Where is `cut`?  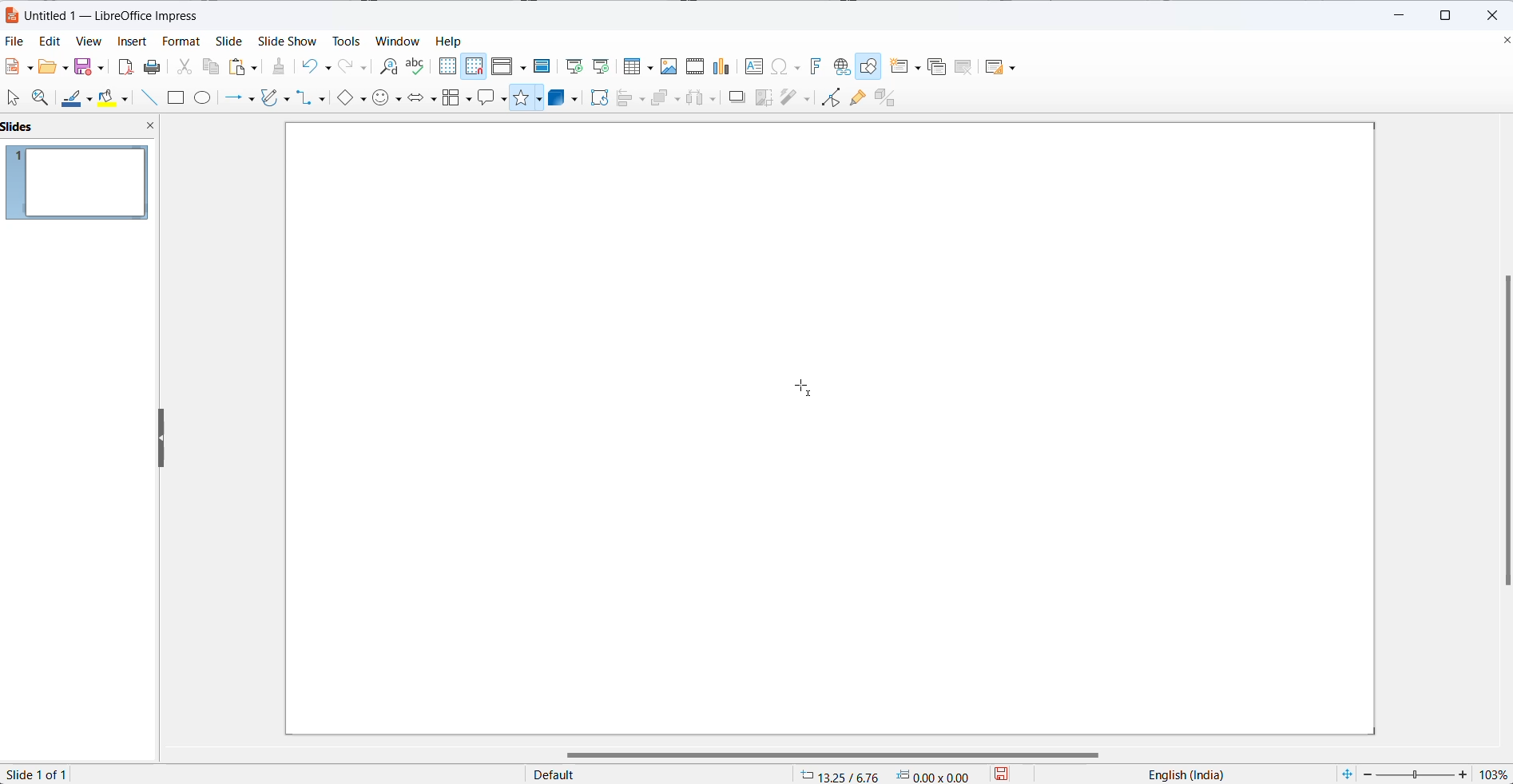 cut is located at coordinates (184, 65).